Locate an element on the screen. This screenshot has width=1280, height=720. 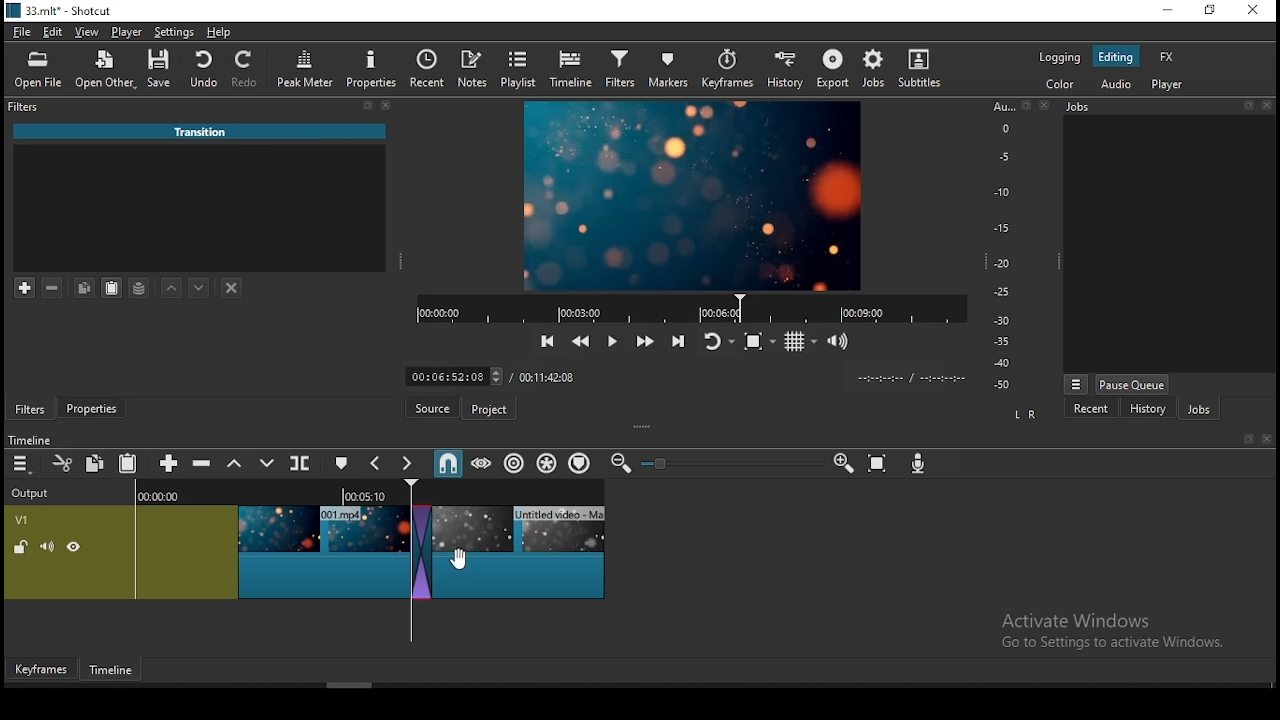
Keyframe is located at coordinates (41, 667).